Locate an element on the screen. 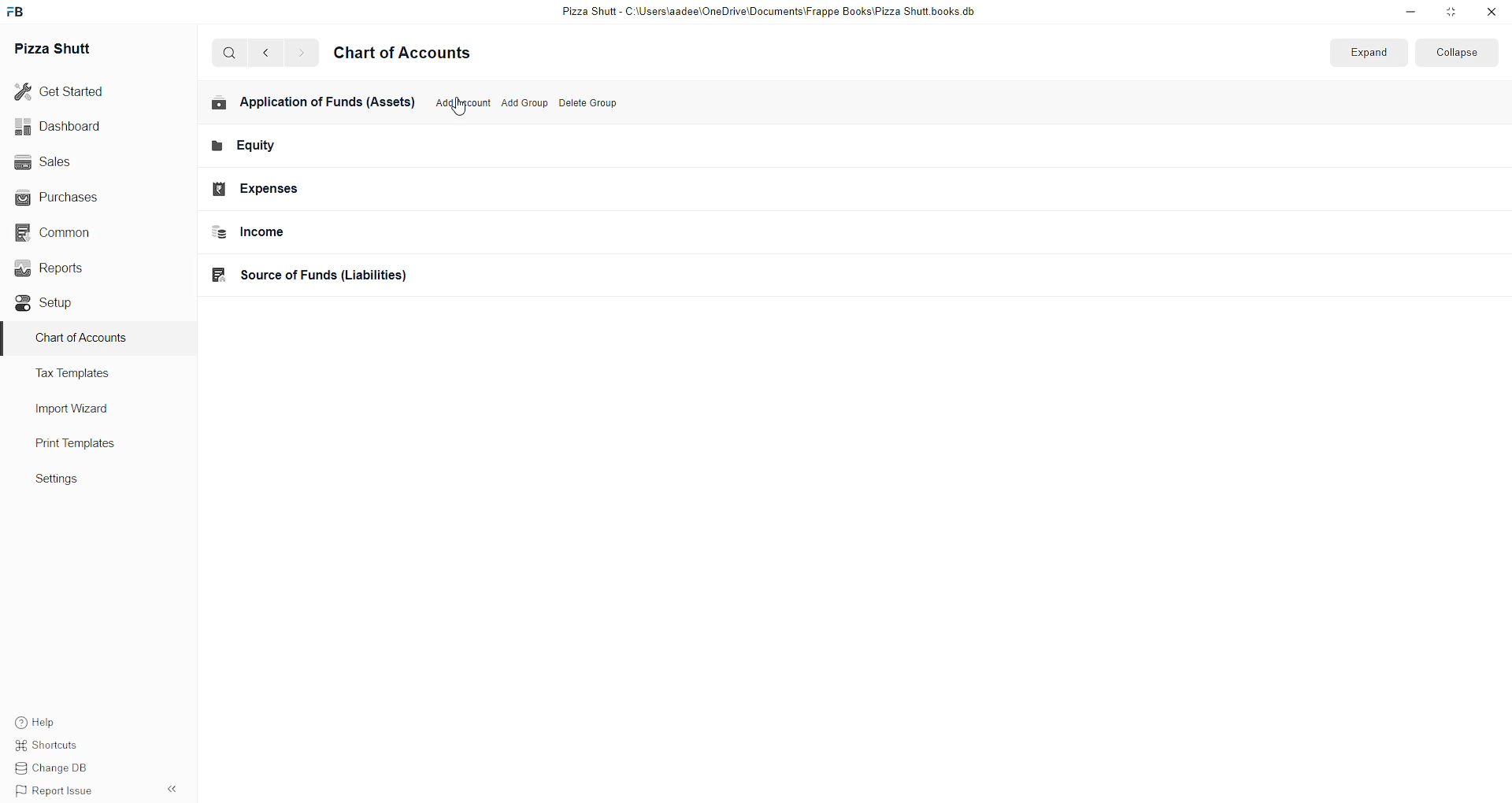 The image size is (1512, 803). Pizza Shutt is located at coordinates (73, 51).